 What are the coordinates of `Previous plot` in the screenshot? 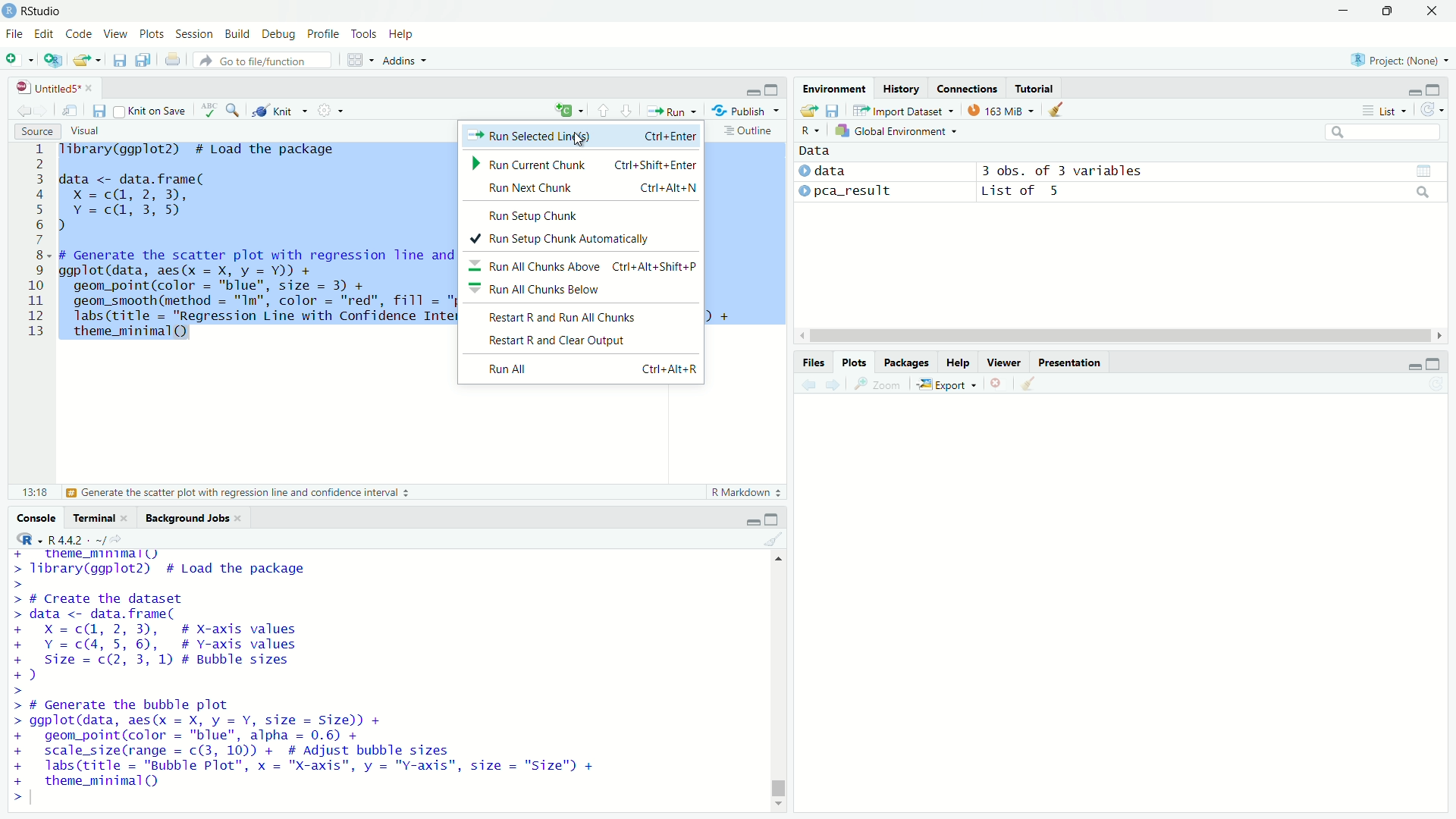 It's located at (809, 384).